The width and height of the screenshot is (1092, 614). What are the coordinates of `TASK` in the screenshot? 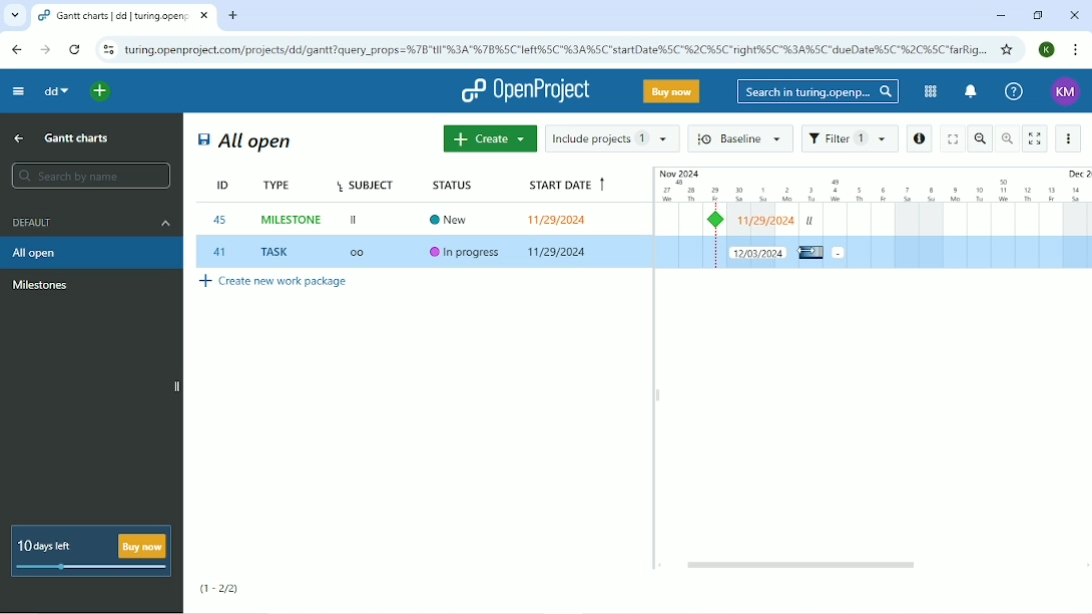 It's located at (278, 252).